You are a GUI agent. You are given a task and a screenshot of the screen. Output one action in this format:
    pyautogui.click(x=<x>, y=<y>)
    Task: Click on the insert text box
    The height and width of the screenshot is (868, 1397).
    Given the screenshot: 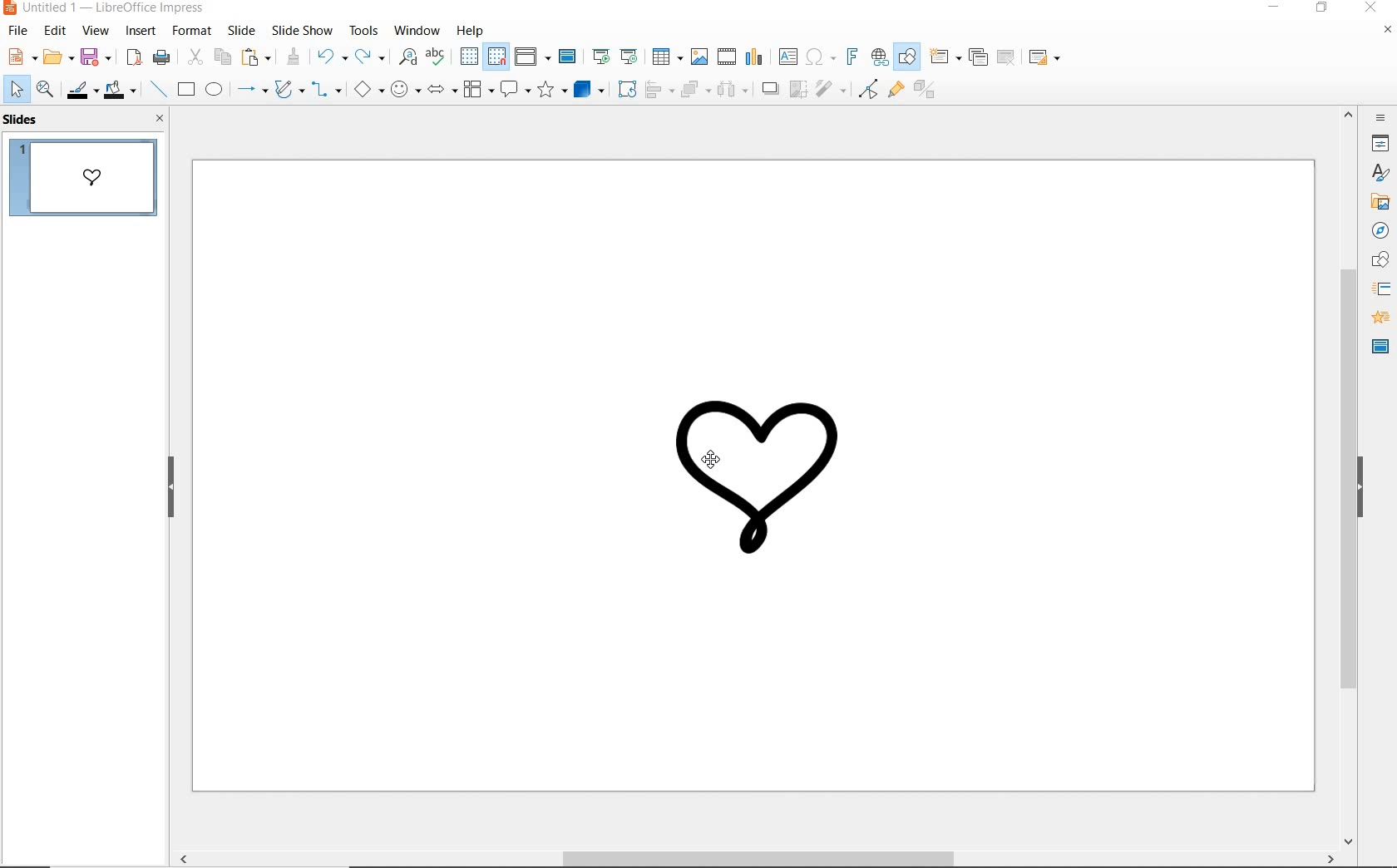 What is the action you would take?
    pyautogui.click(x=787, y=57)
    